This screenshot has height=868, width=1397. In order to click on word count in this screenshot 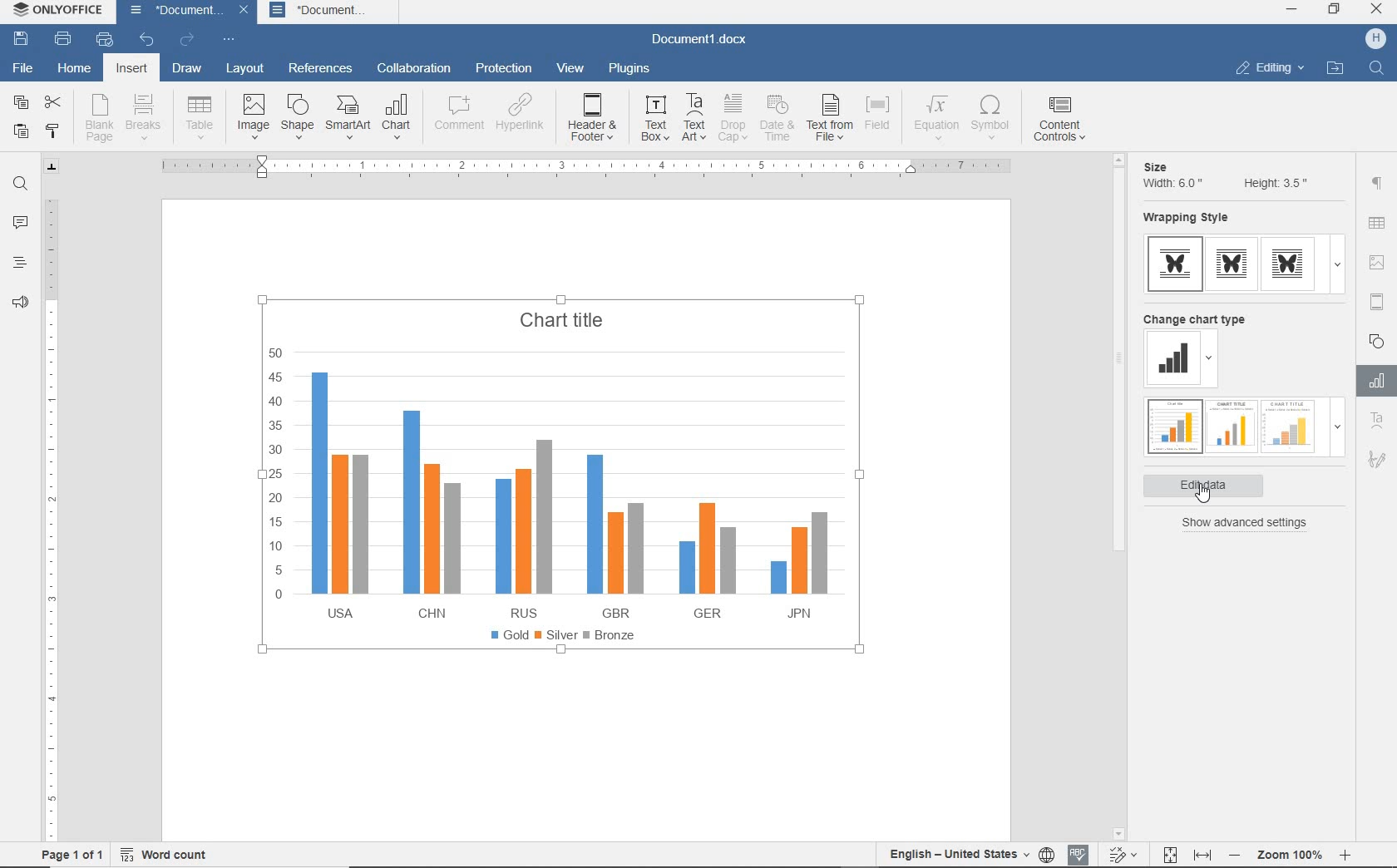, I will do `click(169, 852)`.